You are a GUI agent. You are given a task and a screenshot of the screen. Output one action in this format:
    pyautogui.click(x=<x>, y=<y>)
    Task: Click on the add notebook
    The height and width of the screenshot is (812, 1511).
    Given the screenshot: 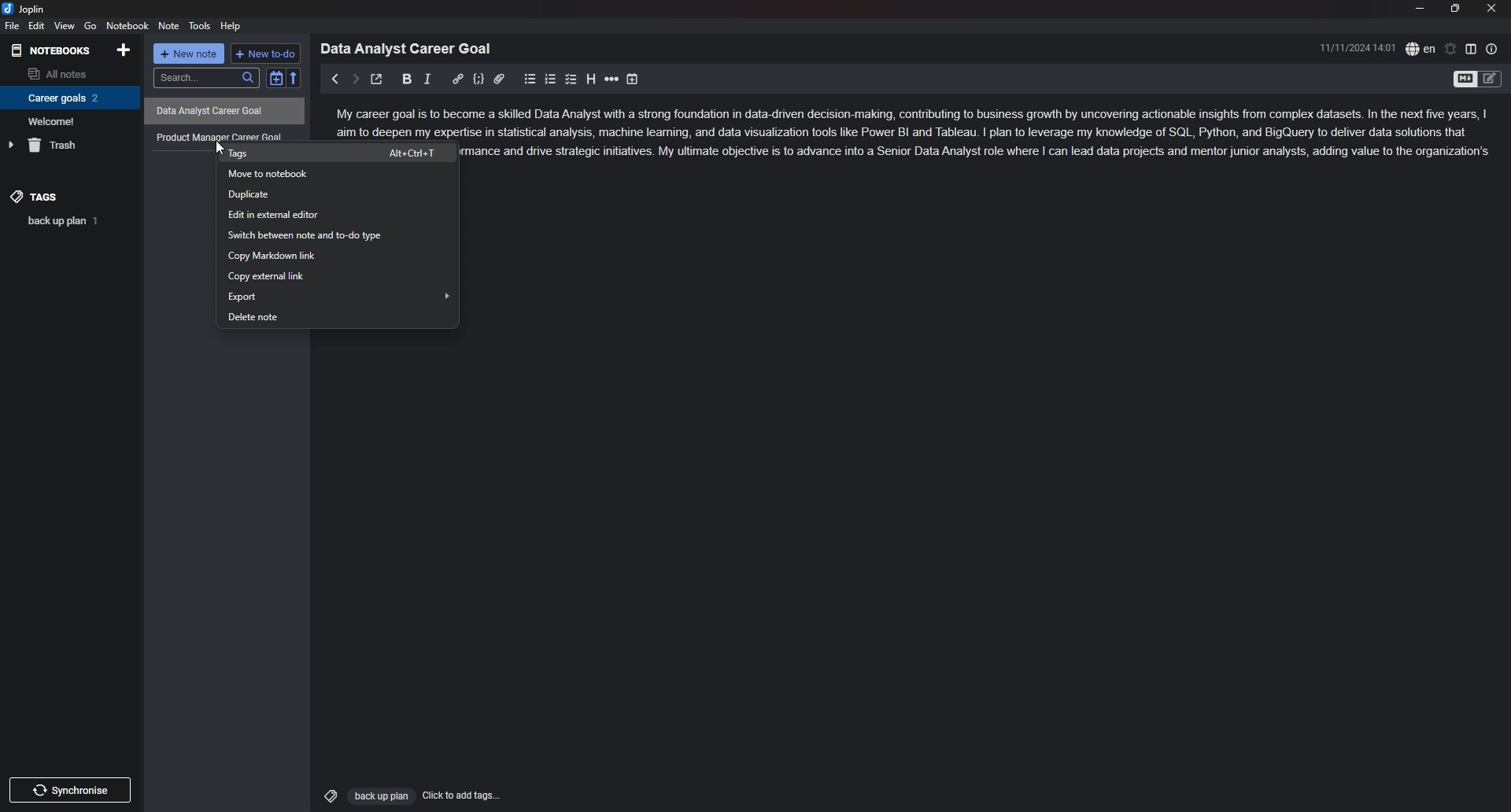 What is the action you would take?
    pyautogui.click(x=125, y=50)
    